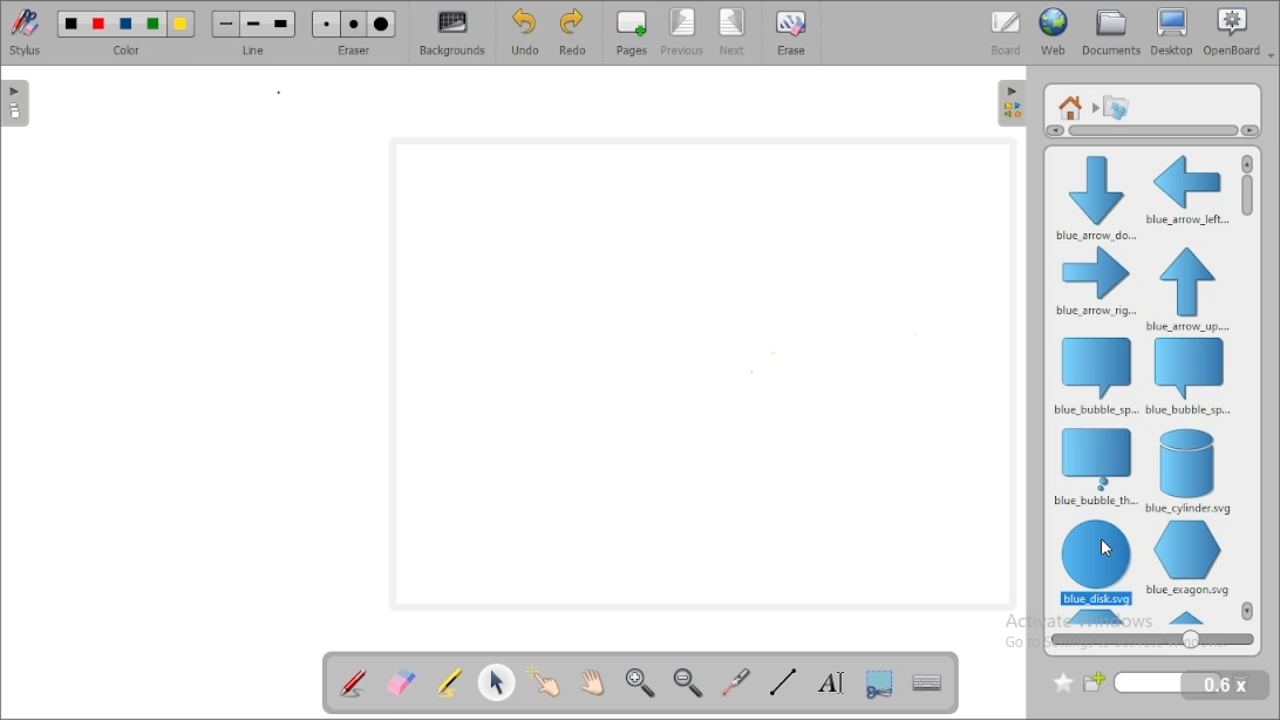  Describe the element at coordinates (126, 32) in the screenshot. I see `color` at that location.